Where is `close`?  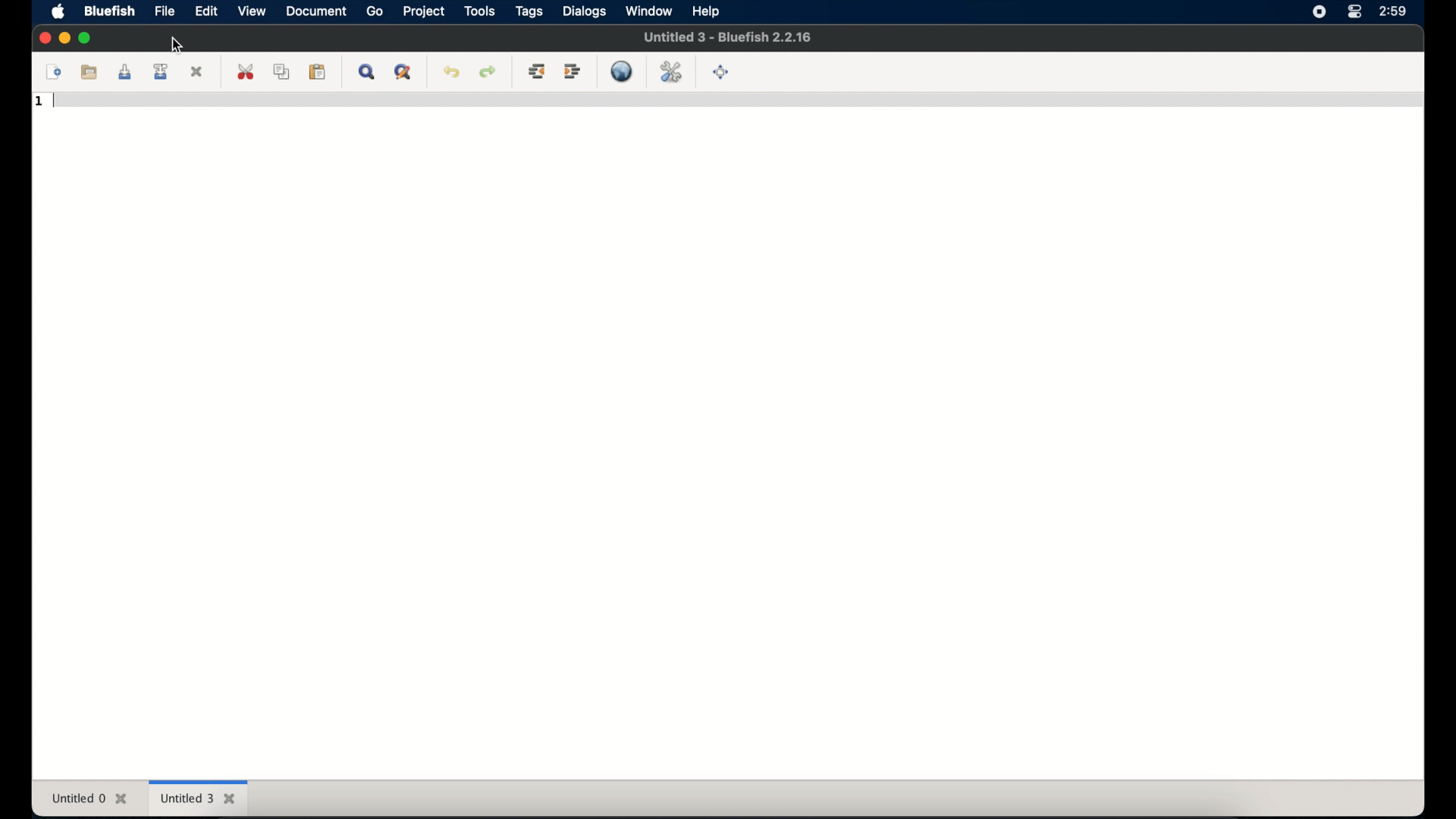 close is located at coordinates (43, 38).